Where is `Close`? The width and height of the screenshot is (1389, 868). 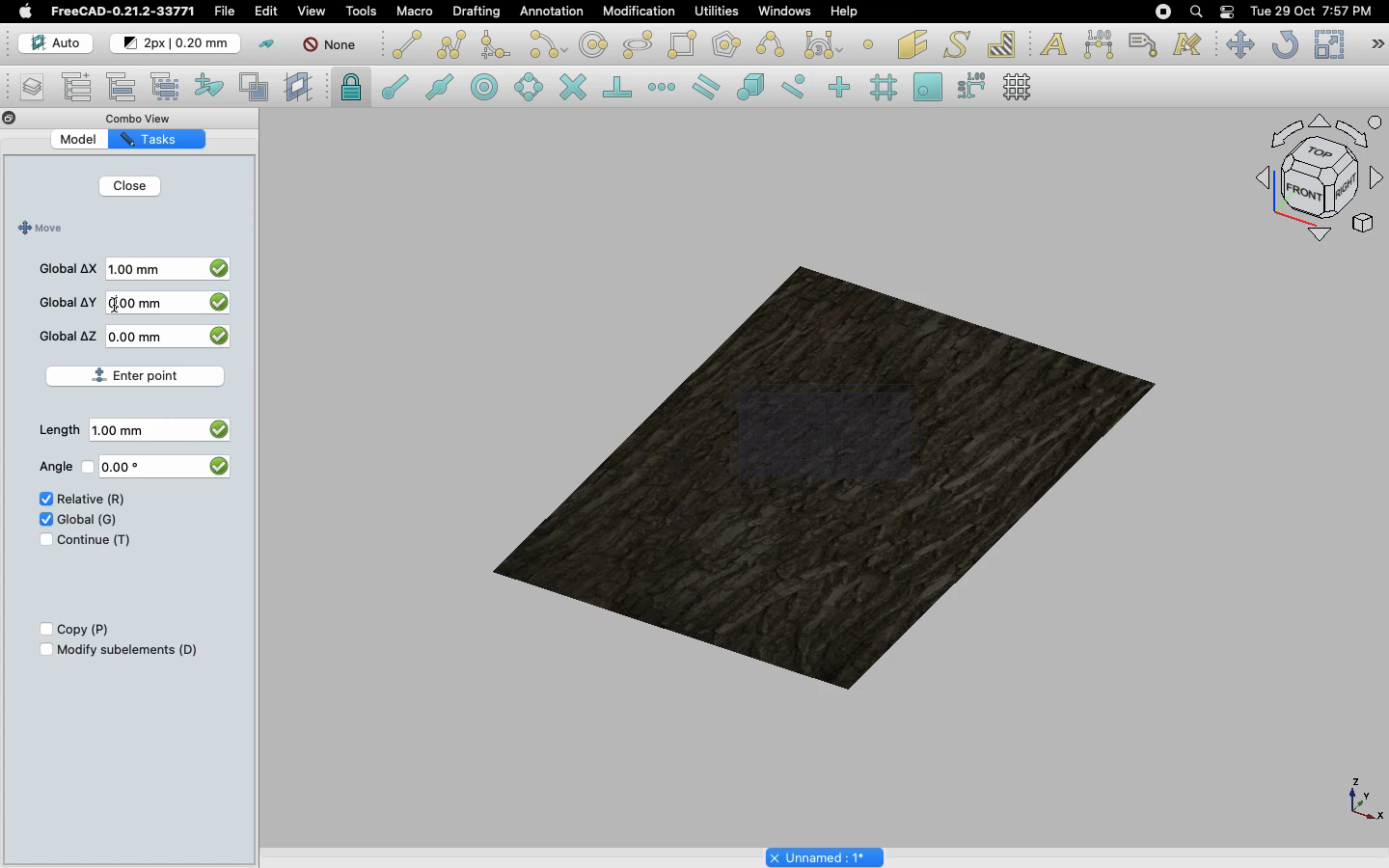 Close is located at coordinates (129, 188).